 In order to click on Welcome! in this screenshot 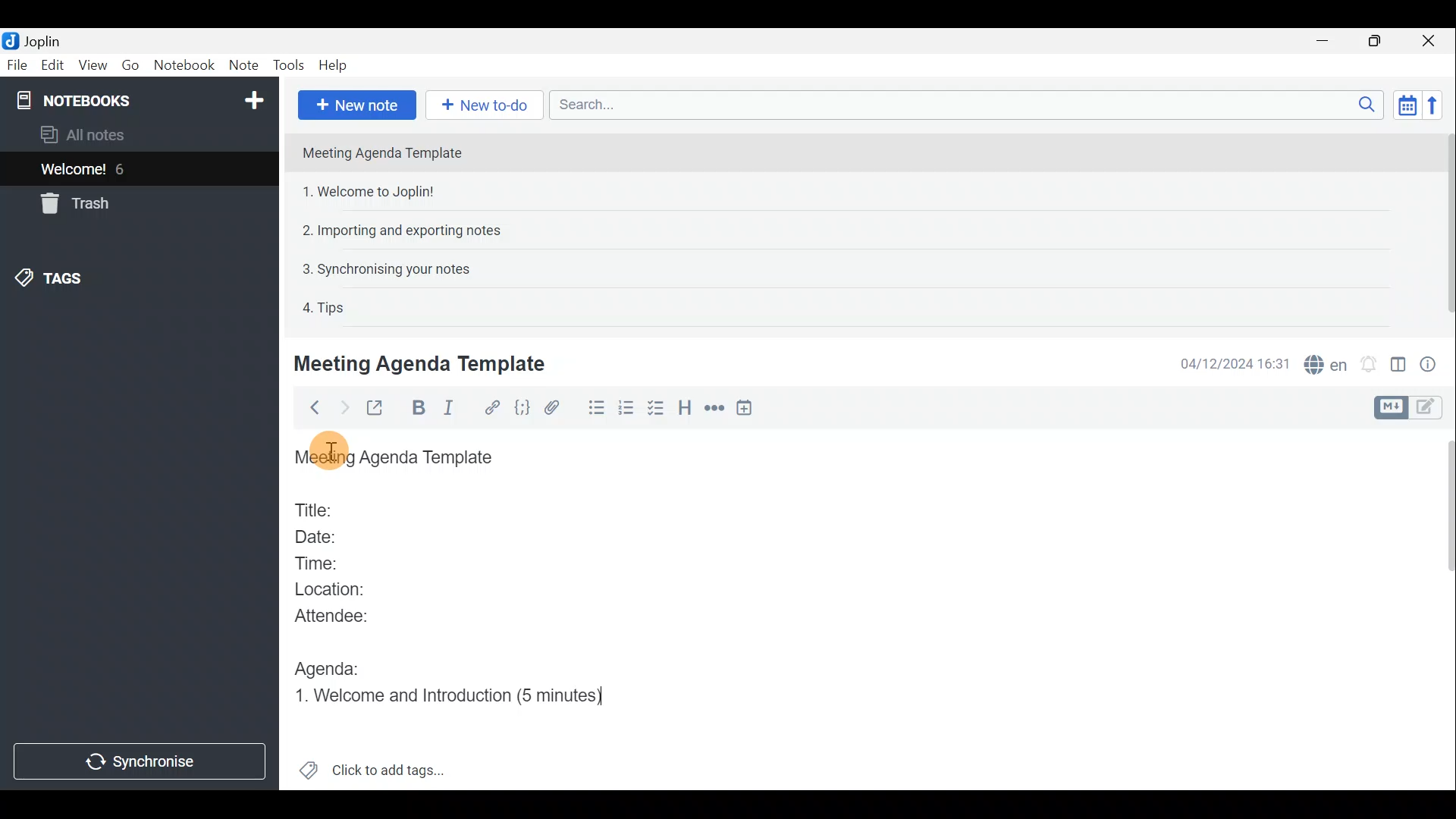, I will do `click(74, 171)`.